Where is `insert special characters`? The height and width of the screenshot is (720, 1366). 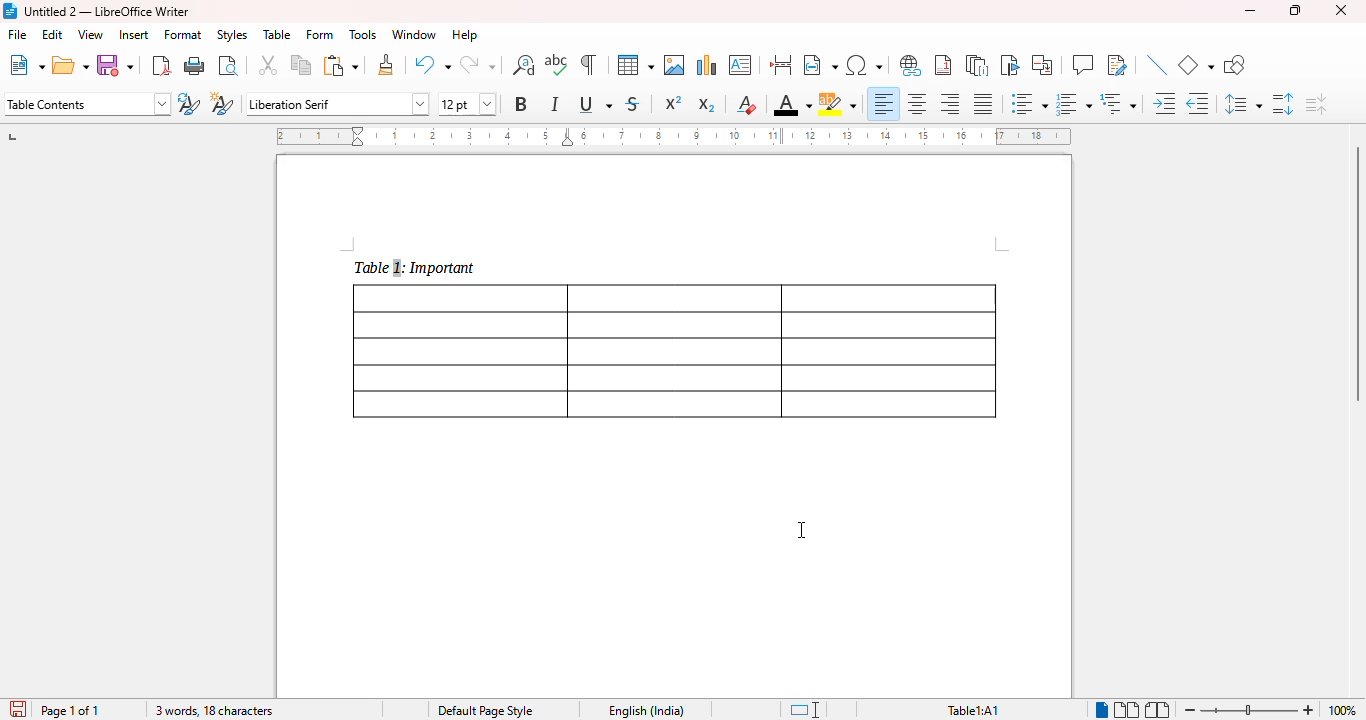 insert special characters is located at coordinates (865, 65).